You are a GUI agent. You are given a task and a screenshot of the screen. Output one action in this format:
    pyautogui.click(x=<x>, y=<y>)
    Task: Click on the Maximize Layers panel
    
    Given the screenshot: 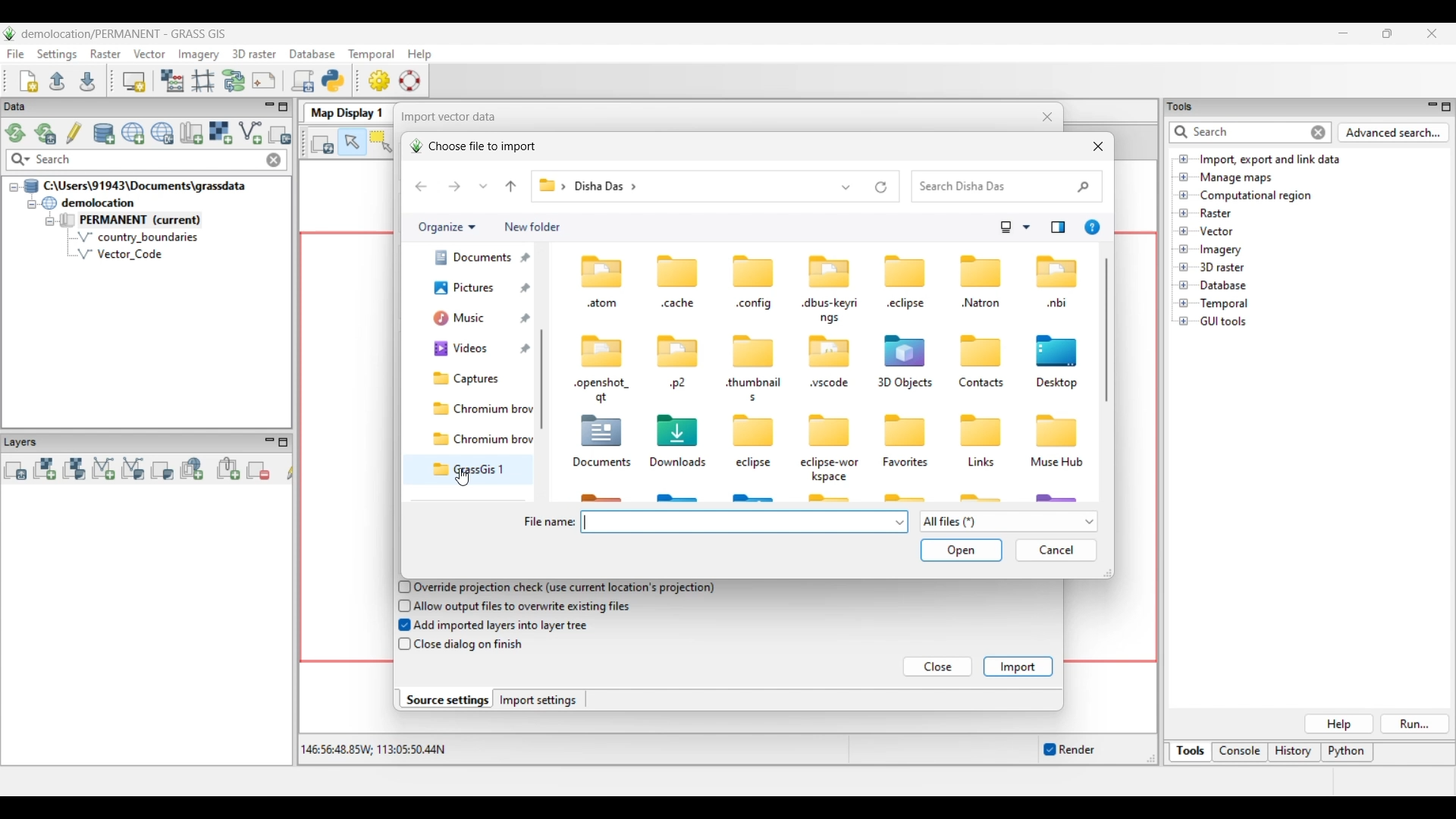 What is the action you would take?
    pyautogui.click(x=284, y=442)
    